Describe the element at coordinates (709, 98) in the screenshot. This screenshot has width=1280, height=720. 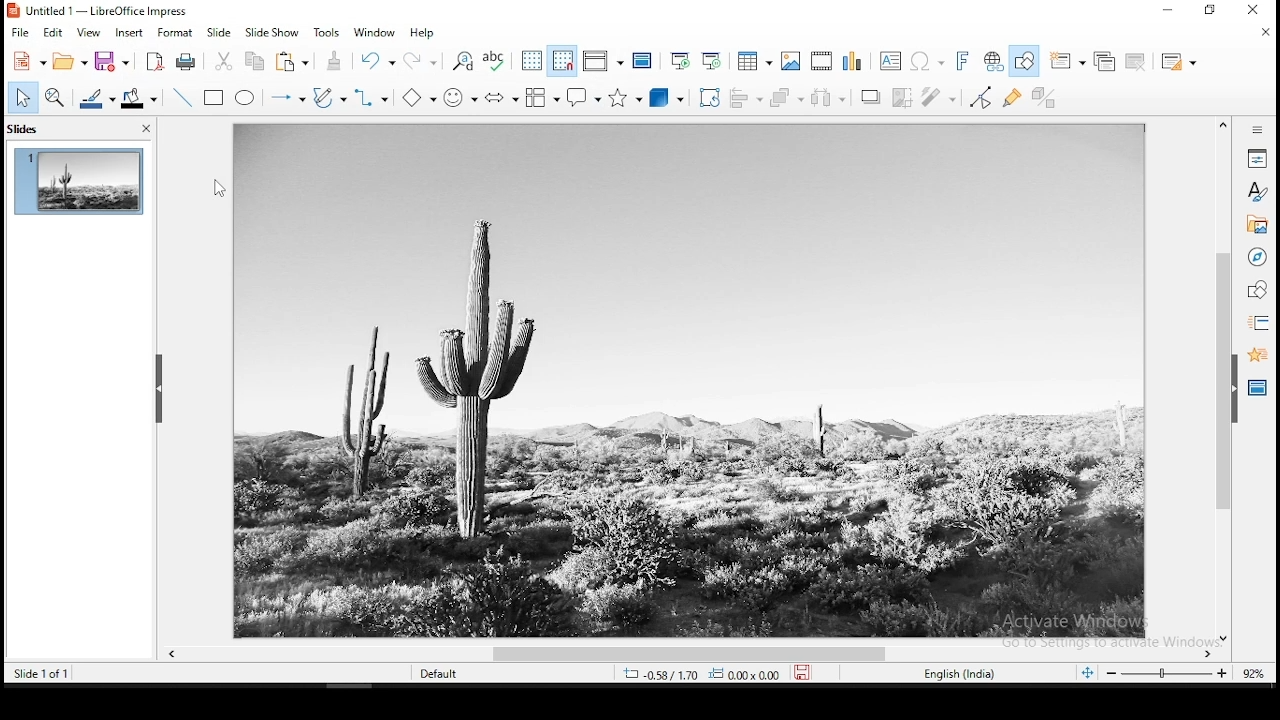
I see `crop tool` at that location.